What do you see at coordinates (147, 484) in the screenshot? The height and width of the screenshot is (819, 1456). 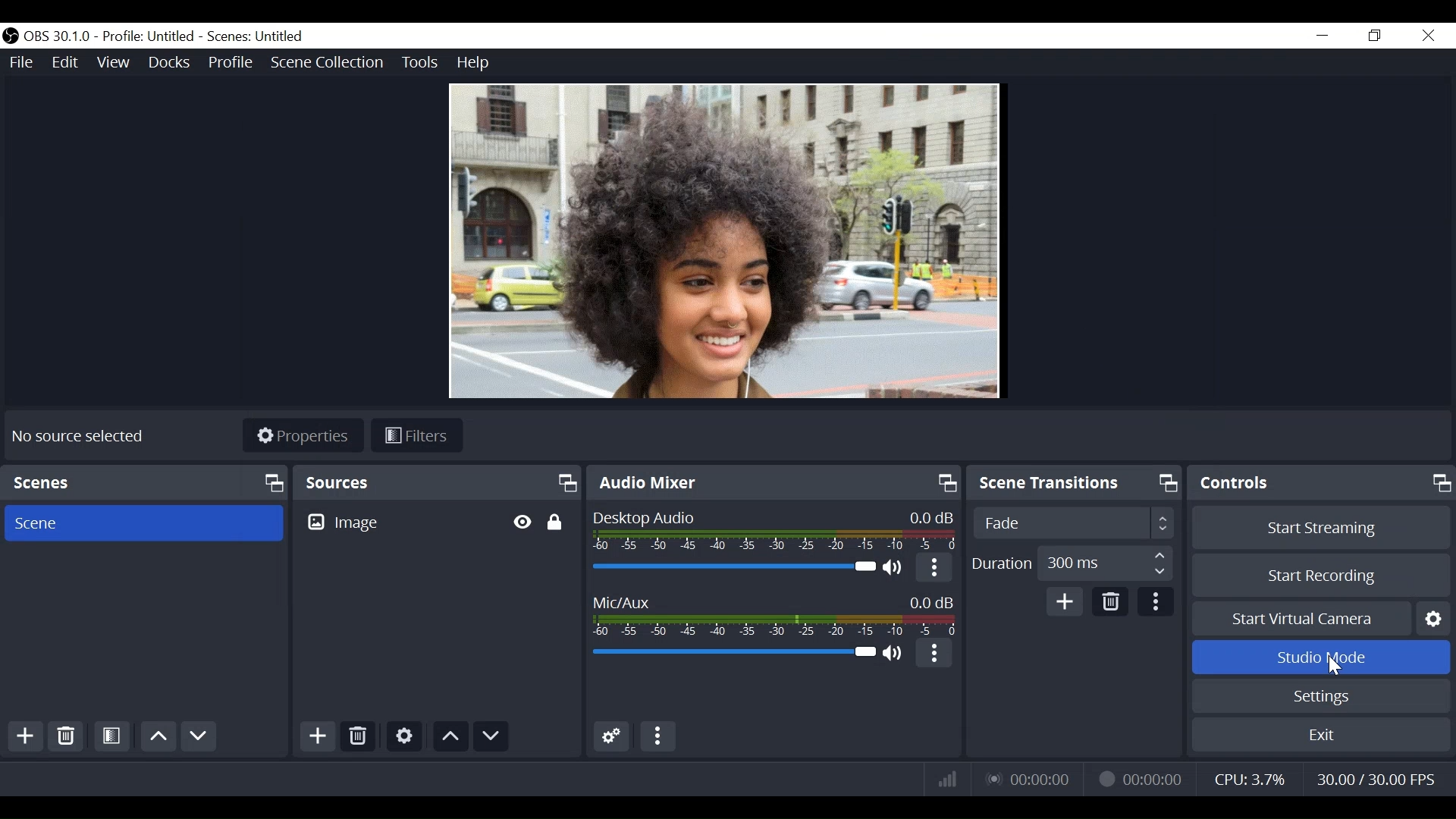 I see `Scenes Panel` at bounding box center [147, 484].